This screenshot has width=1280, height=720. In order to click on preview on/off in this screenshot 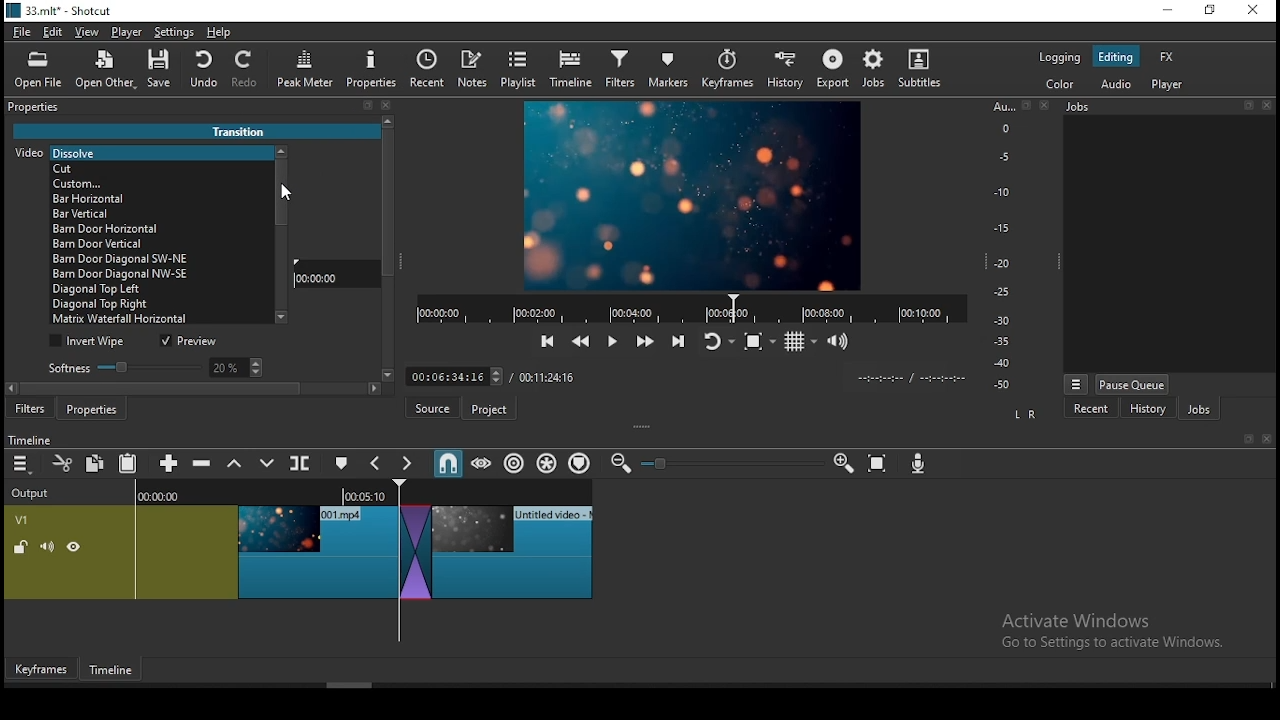, I will do `click(192, 342)`.